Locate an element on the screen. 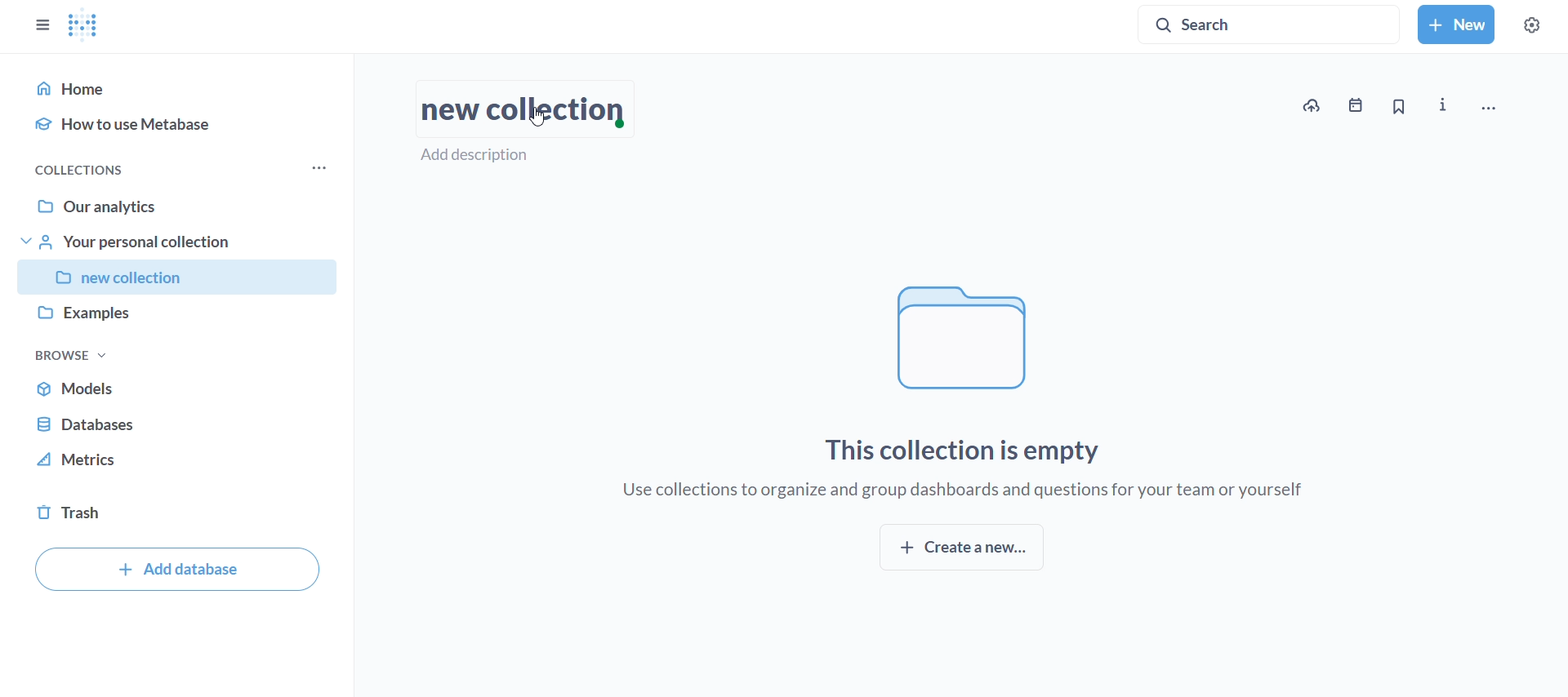 The image size is (1568, 697). search is located at coordinates (1270, 22).